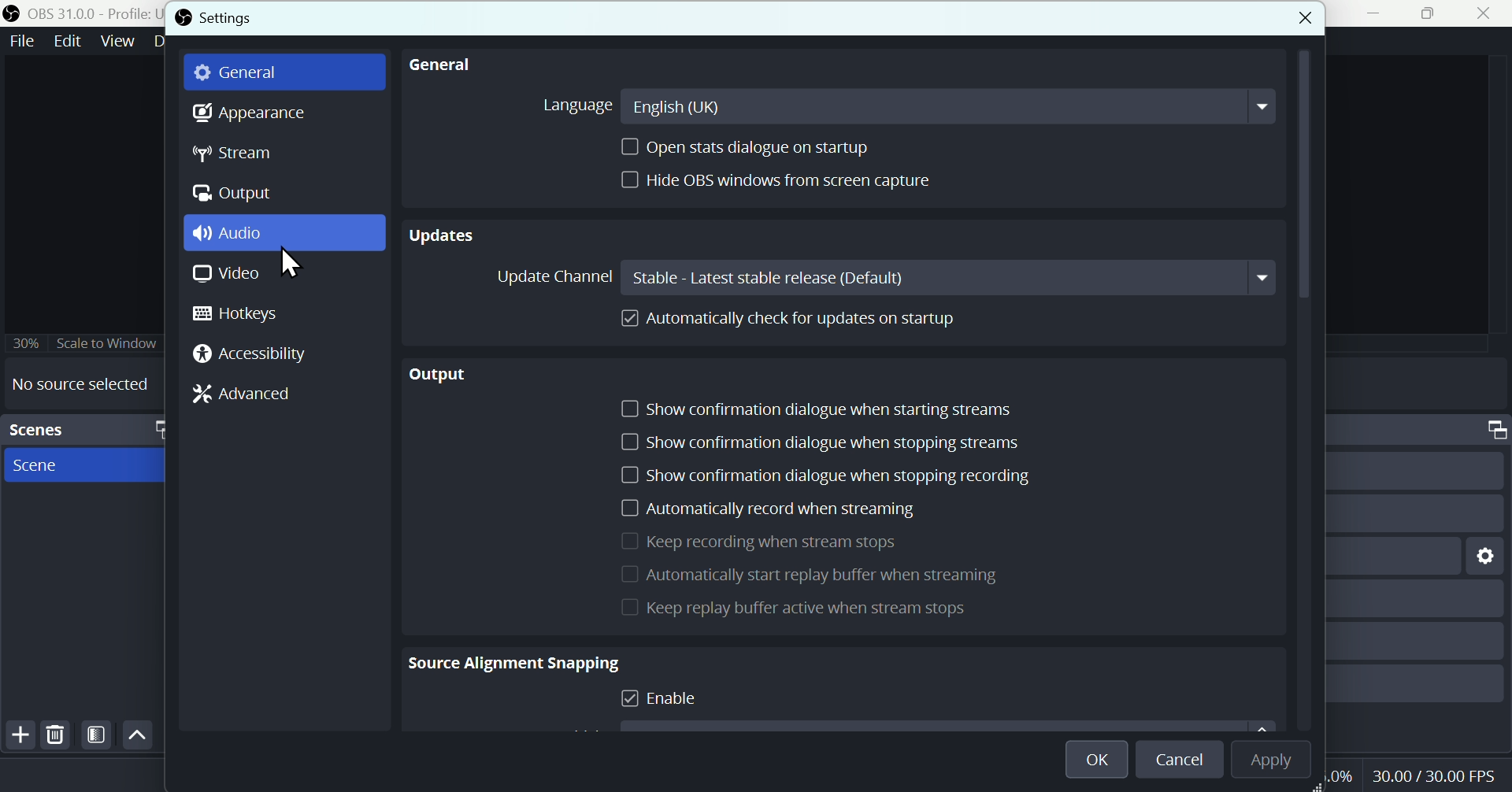 Image resolution: width=1512 pixels, height=792 pixels. What do you see at coordinates (226, 275) in the screenshot?
I see `Video` at bounding box center [226, 275].